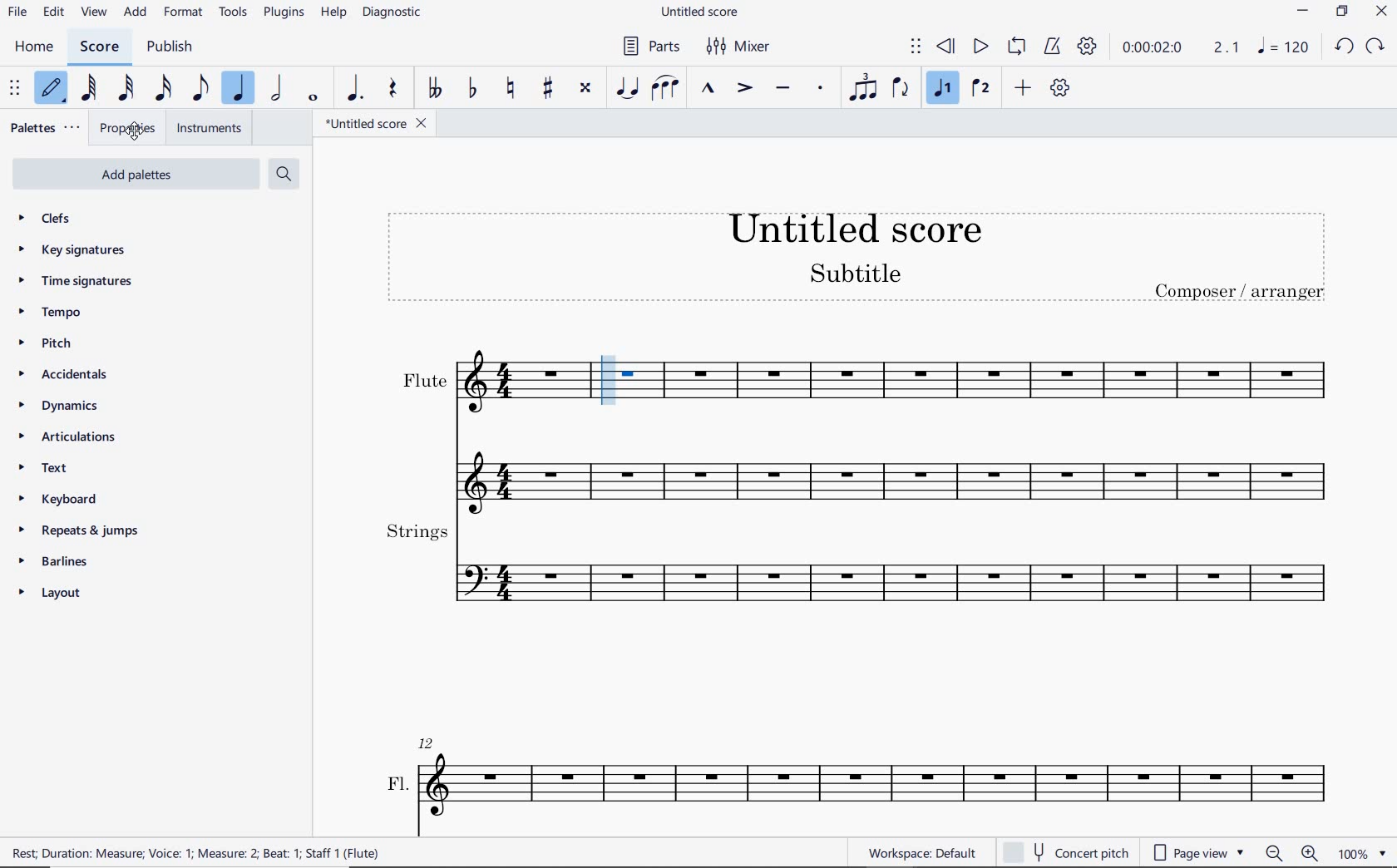 Image resolution: width=1397 pixels, height=868 pixels. What do you see at coordinates (16, 89) in the screenshot?
I see `SELECT TO MOVE` at bounding box center [16, 89].